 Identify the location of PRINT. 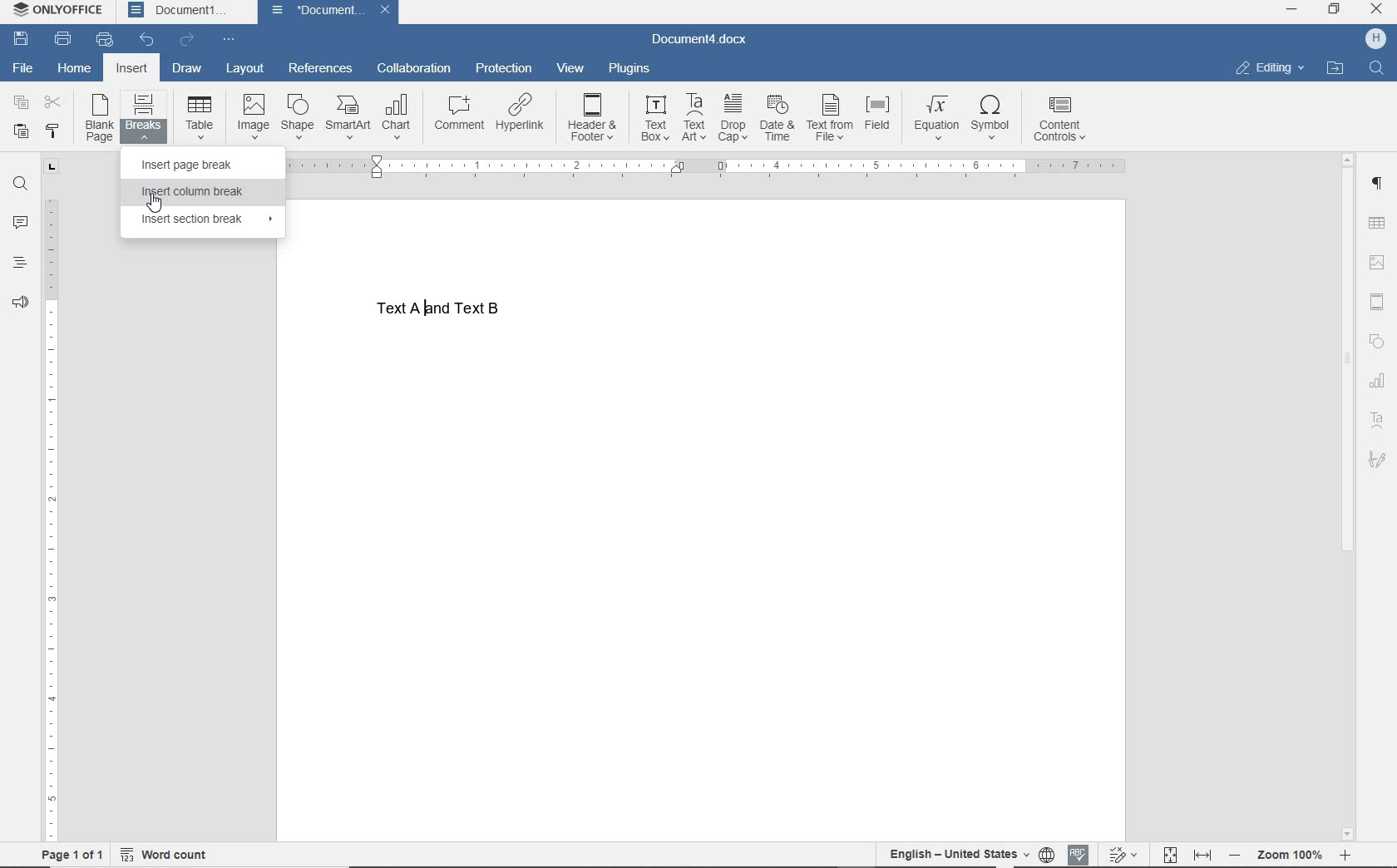
(62, 40).